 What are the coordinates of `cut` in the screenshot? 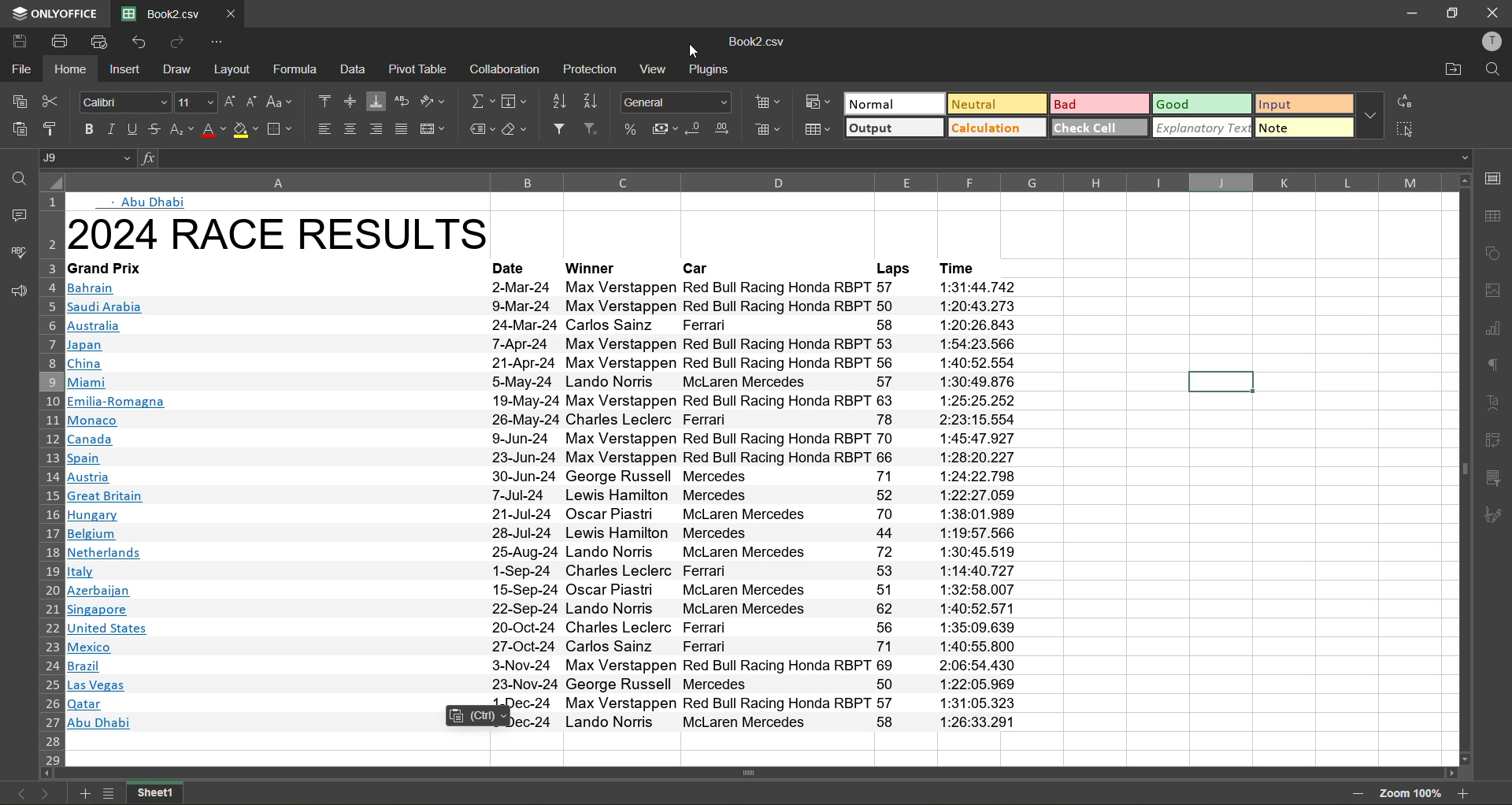 It's located at (56, 100).